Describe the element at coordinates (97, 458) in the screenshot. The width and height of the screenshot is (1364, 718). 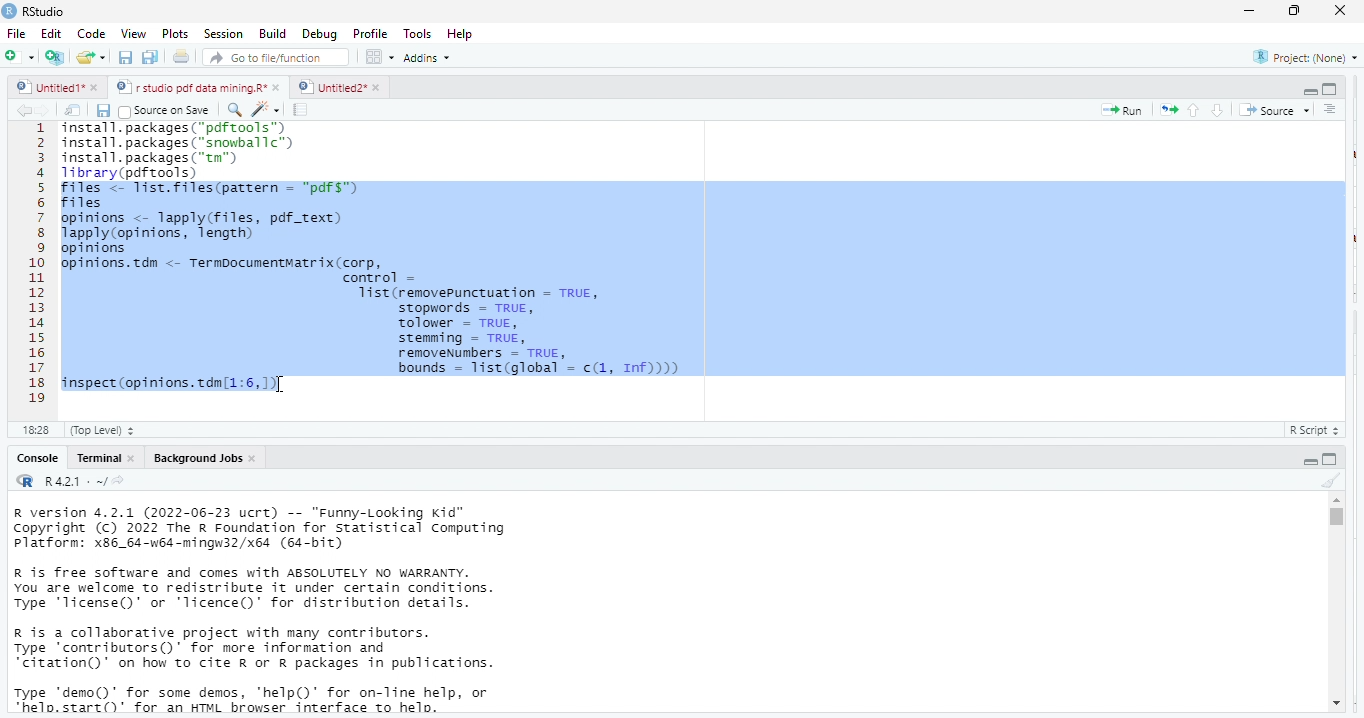
I see `terminal` at that location.